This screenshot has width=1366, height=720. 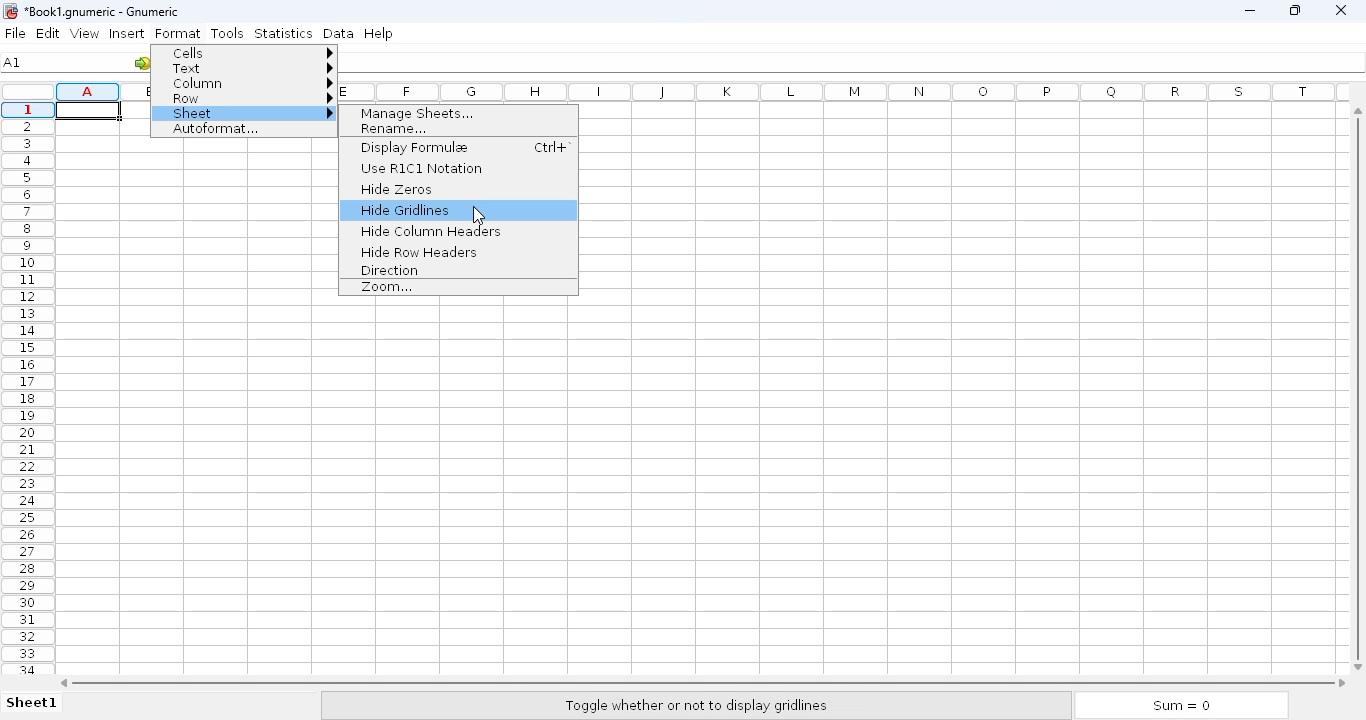 What do you see at coordinates (1341, 10) in the screenshot?
I see `close` at bounding box center [1341, 10].